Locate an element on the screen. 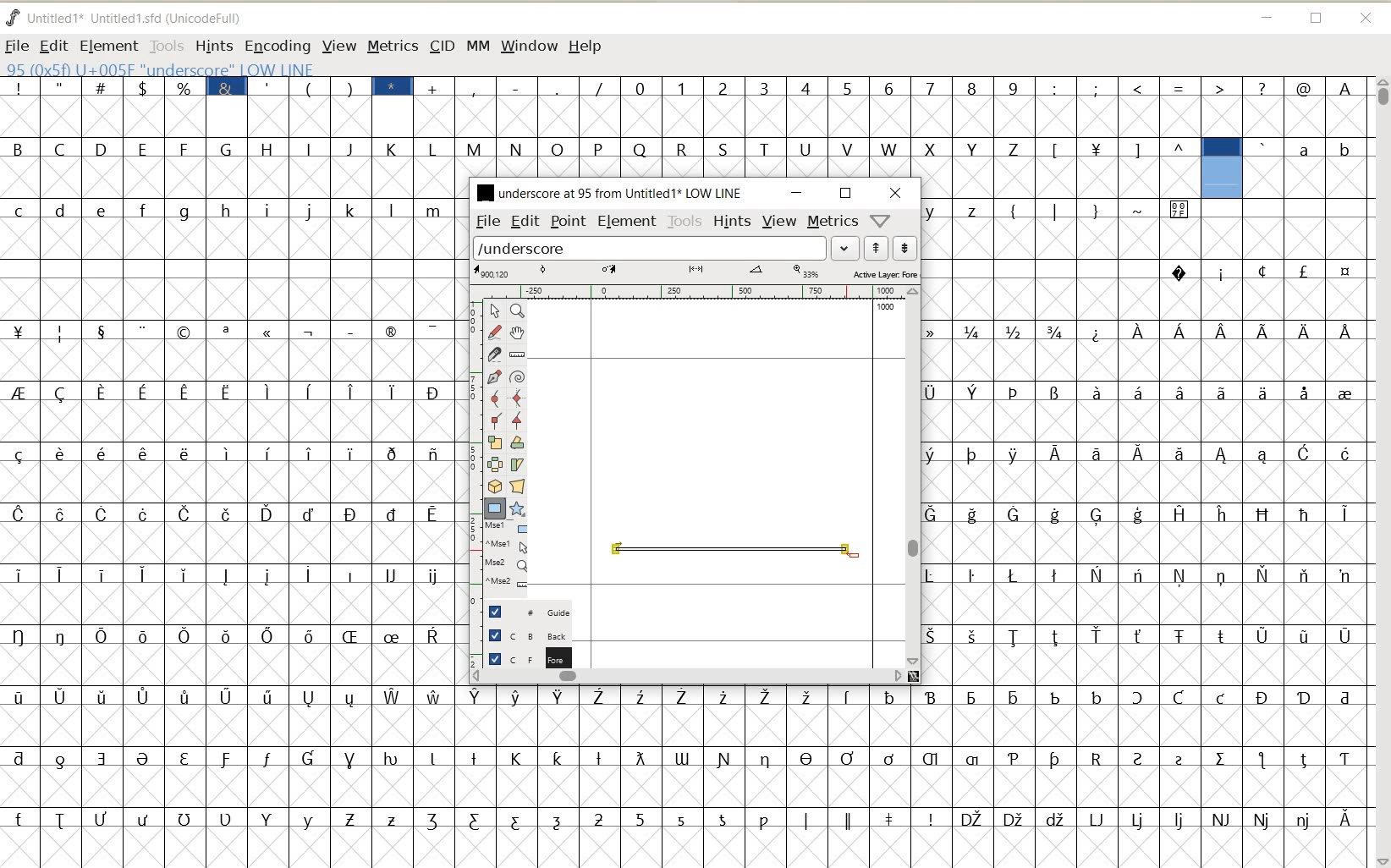 The image size is (1391, 868). load word list is located at coordinates (650, 247).